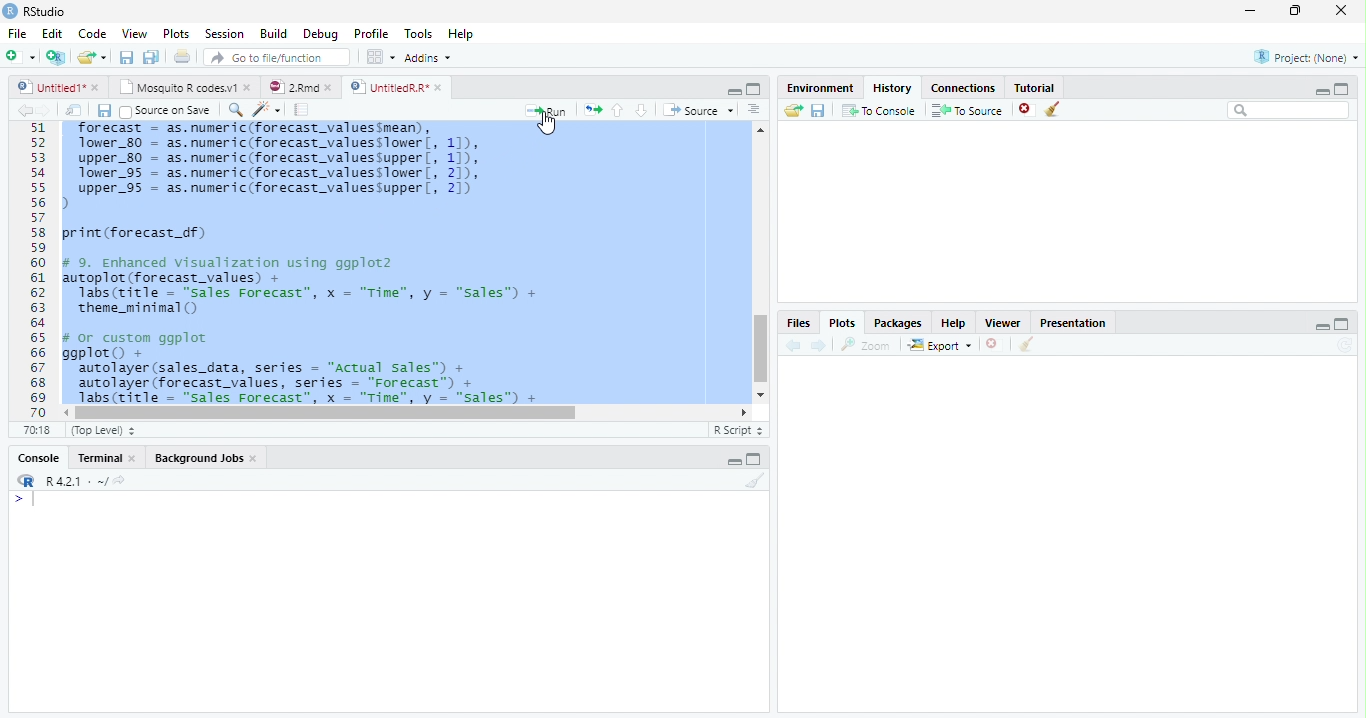 Image resolution: width=1366 pixels, height=718 pixels. What do you see at coordinates (1318, 326) in the screenshot?
I see `Minimize` at bounding box center [1318, 326].